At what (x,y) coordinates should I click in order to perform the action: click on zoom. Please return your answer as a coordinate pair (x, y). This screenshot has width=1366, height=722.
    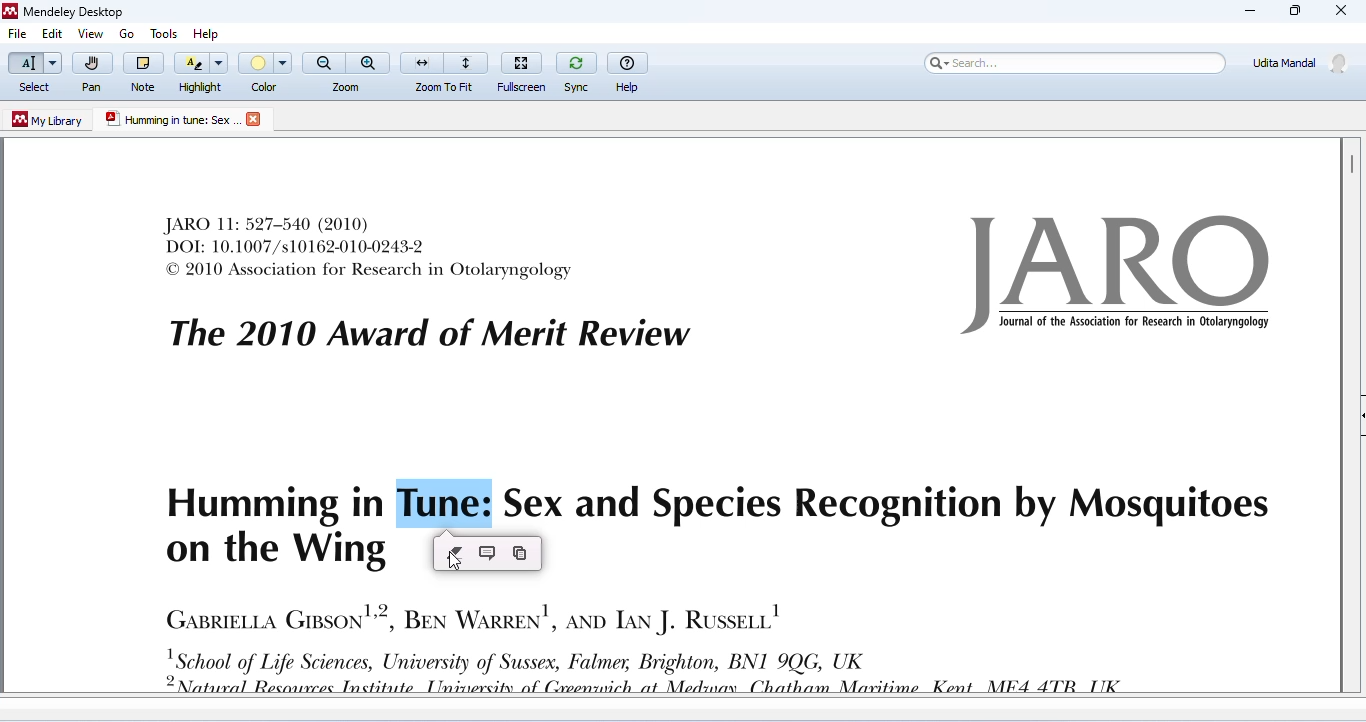
    Looking at the image, I should click on (347, 71).